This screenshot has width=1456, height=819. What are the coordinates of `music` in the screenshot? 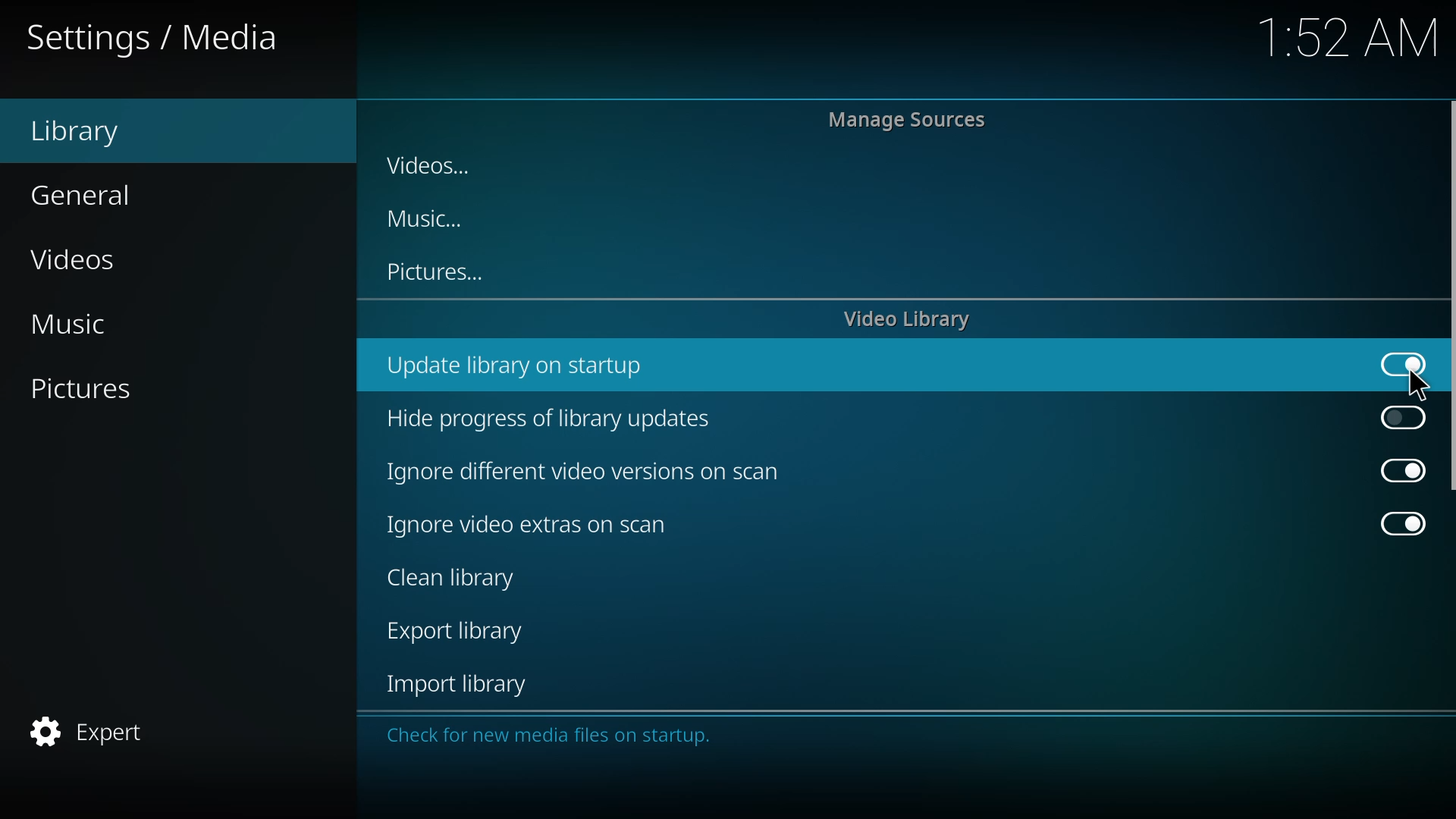 It's located at (430, 219).